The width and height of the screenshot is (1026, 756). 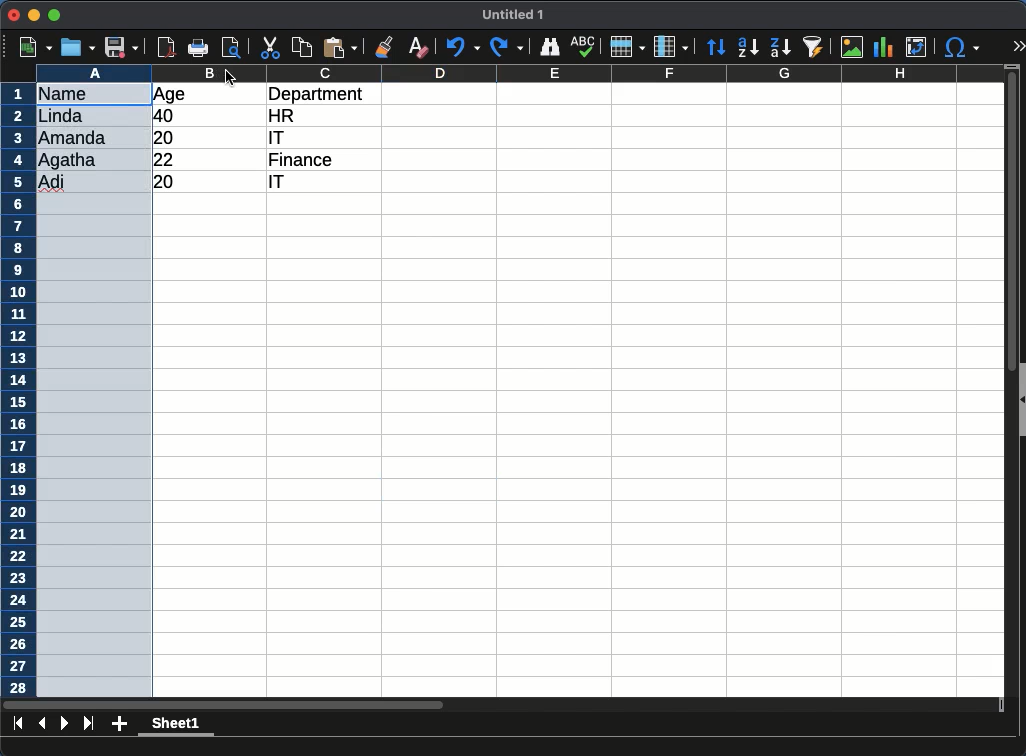 I want to click on special character, so click(x=961, y=47).